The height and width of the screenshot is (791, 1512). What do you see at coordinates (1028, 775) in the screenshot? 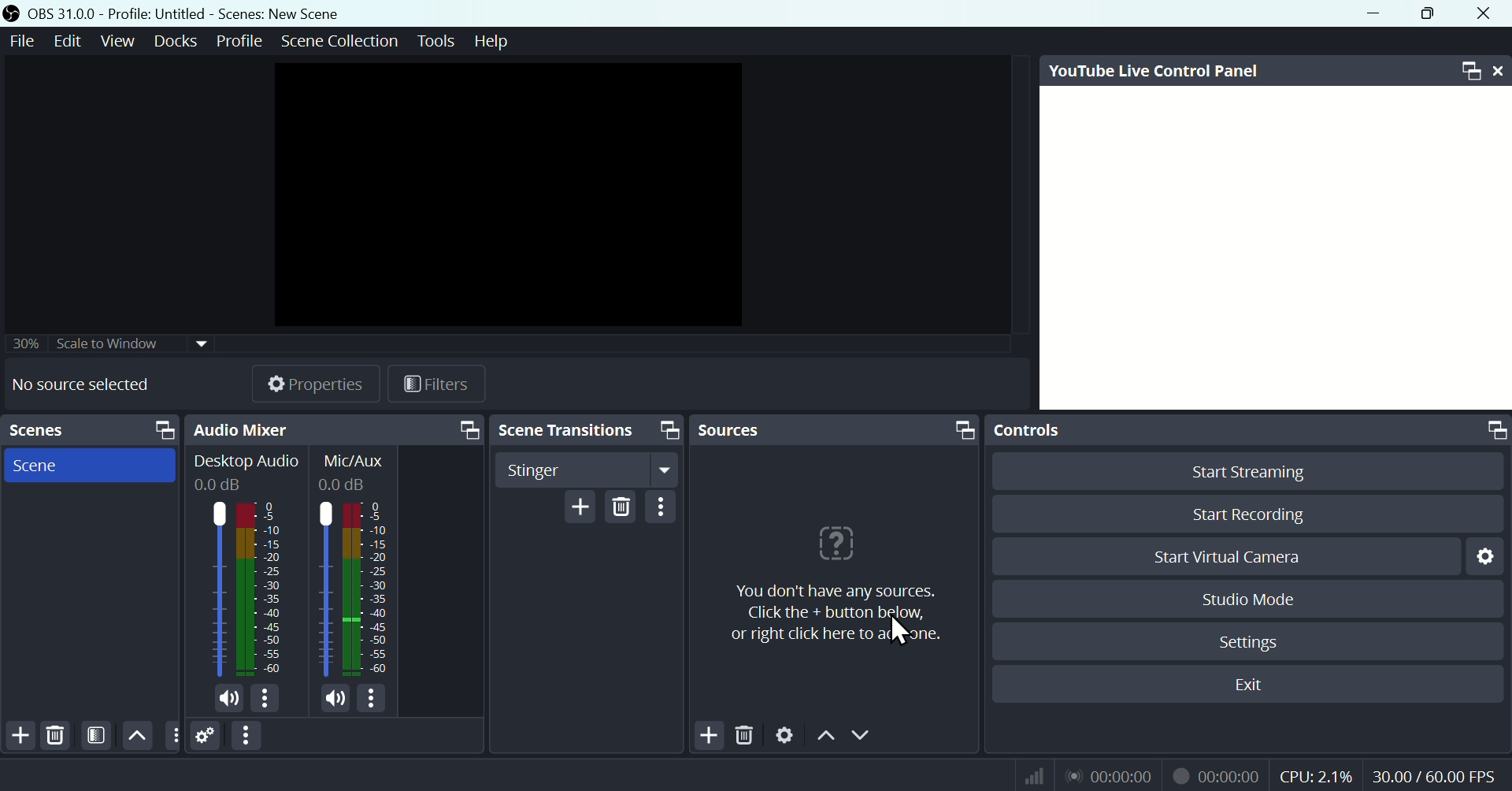
I see `Signal` at bounding box center [1028, 775].